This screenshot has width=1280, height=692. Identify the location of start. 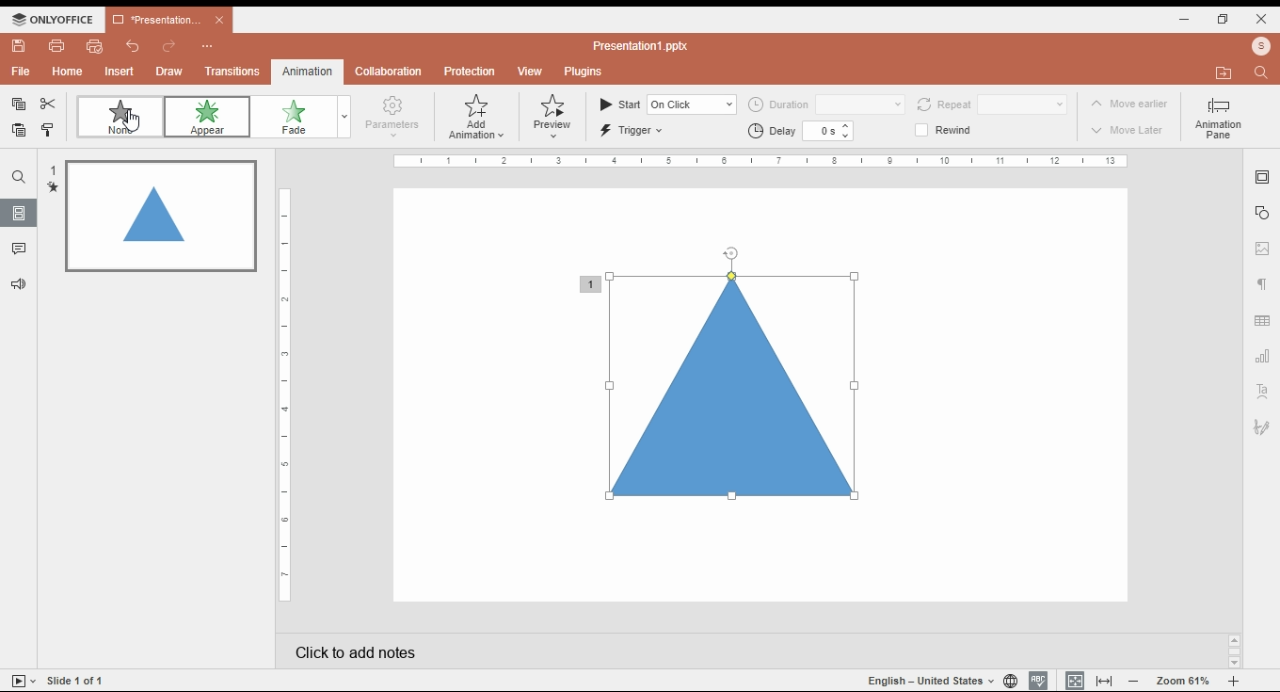
(668, 104).